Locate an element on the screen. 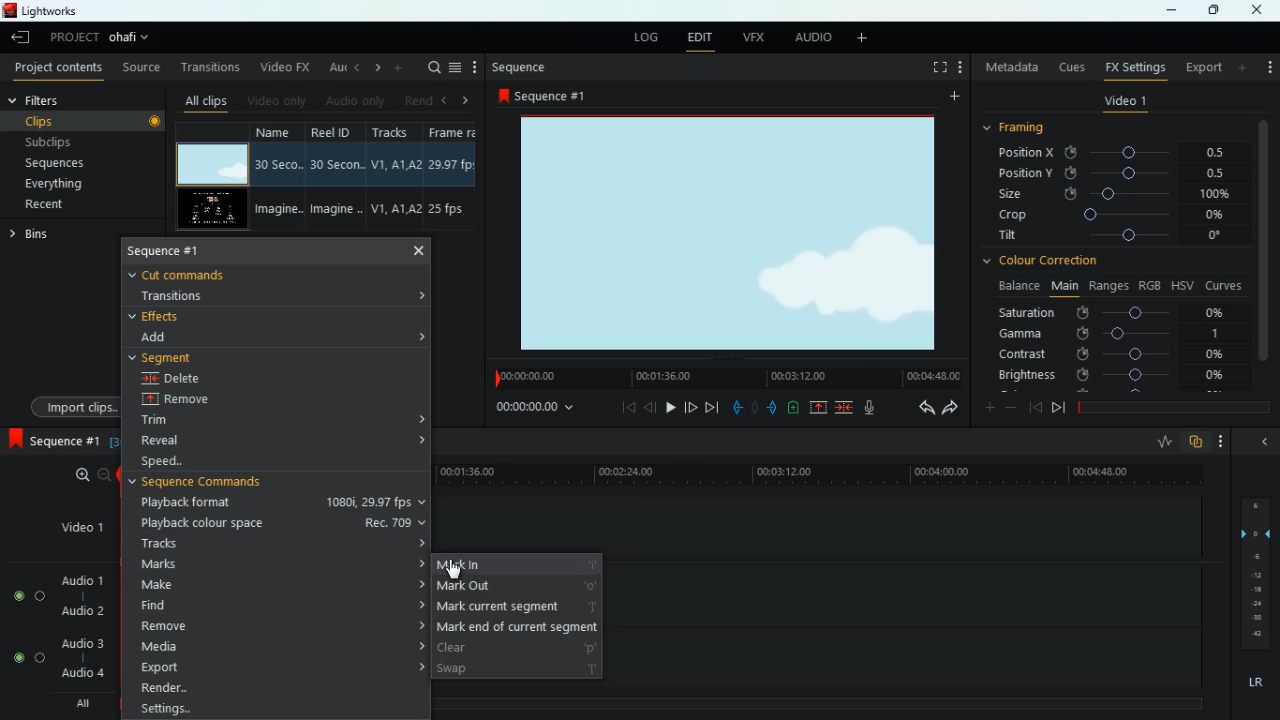 The image size is (1280, 720). audio only is located at coordinates (352, 101).